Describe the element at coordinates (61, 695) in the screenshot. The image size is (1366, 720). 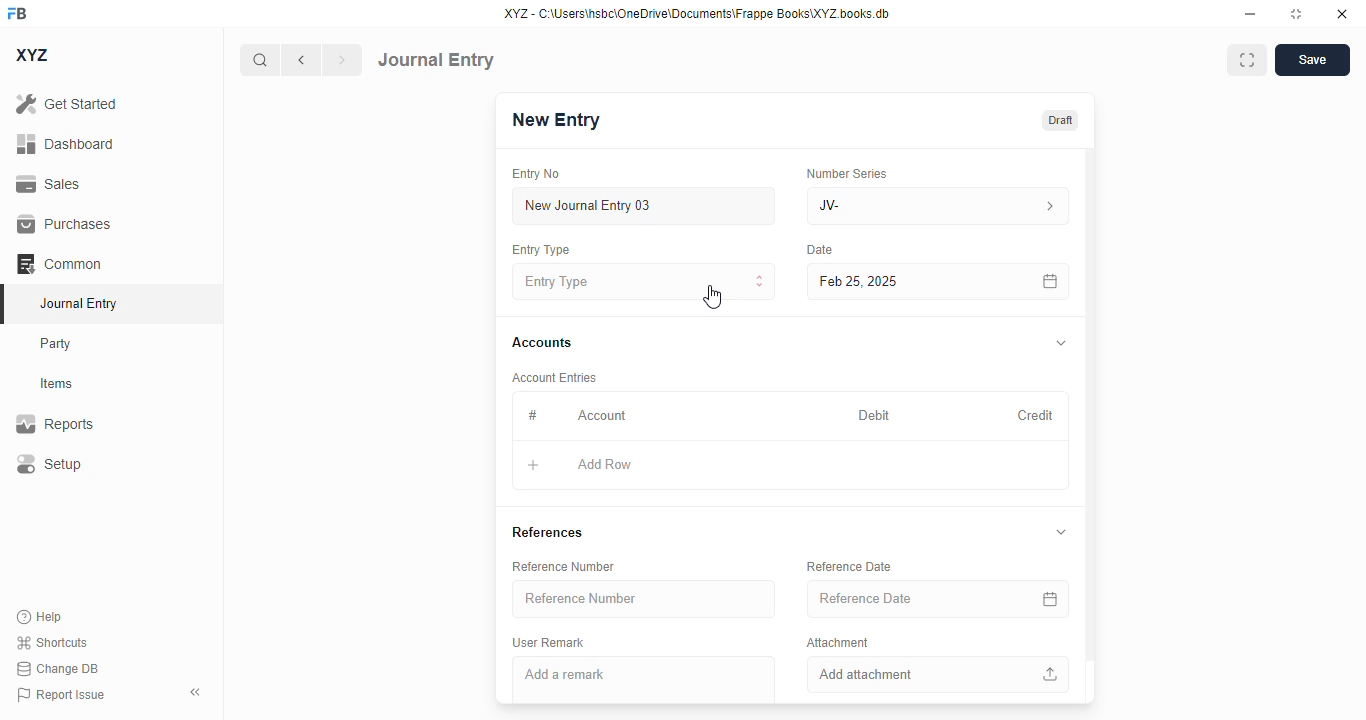
I see `report issue` at that location.